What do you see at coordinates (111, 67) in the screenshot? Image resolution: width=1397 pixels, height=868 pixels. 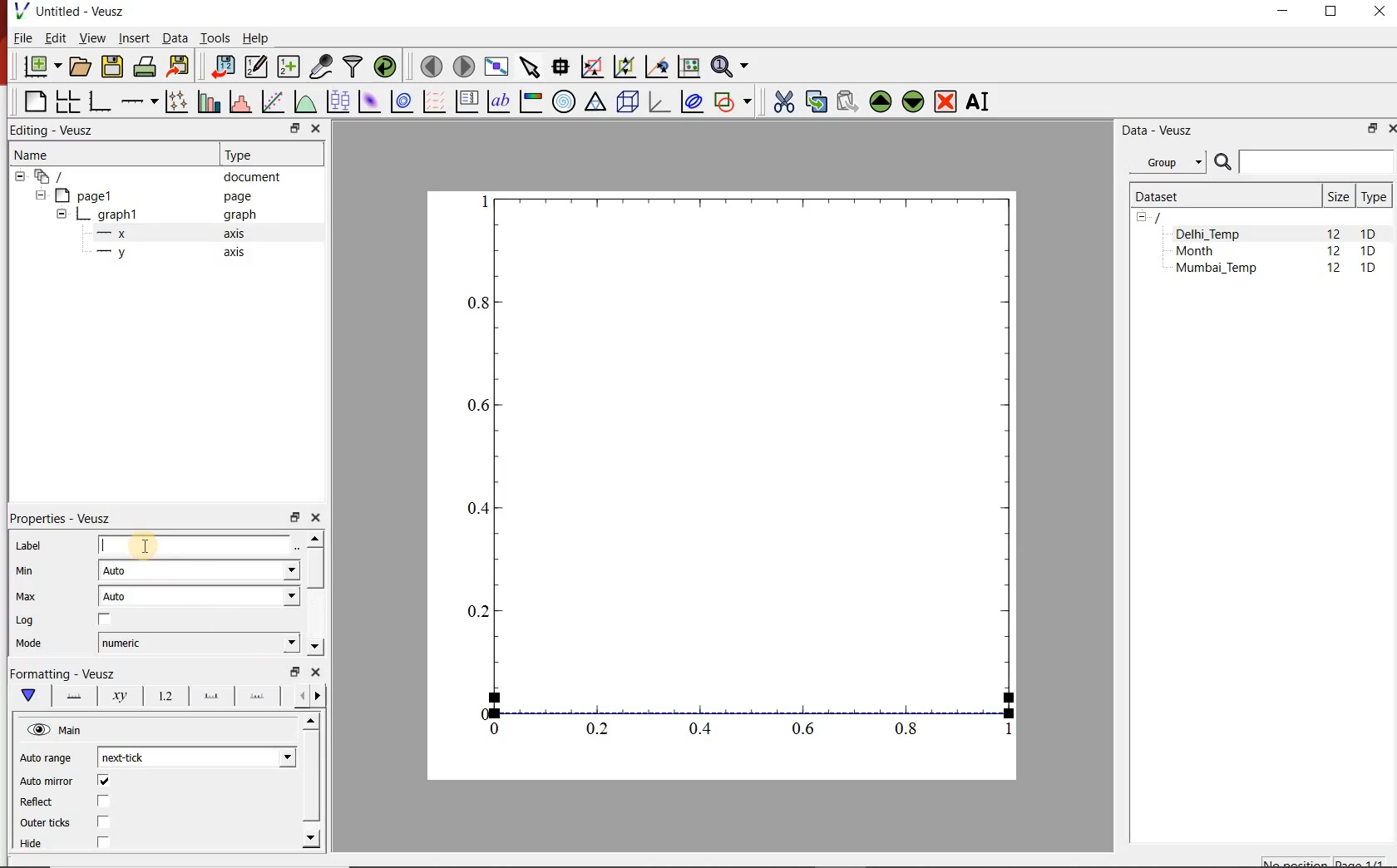 I see `save the document` at bounding box center [111, 67].